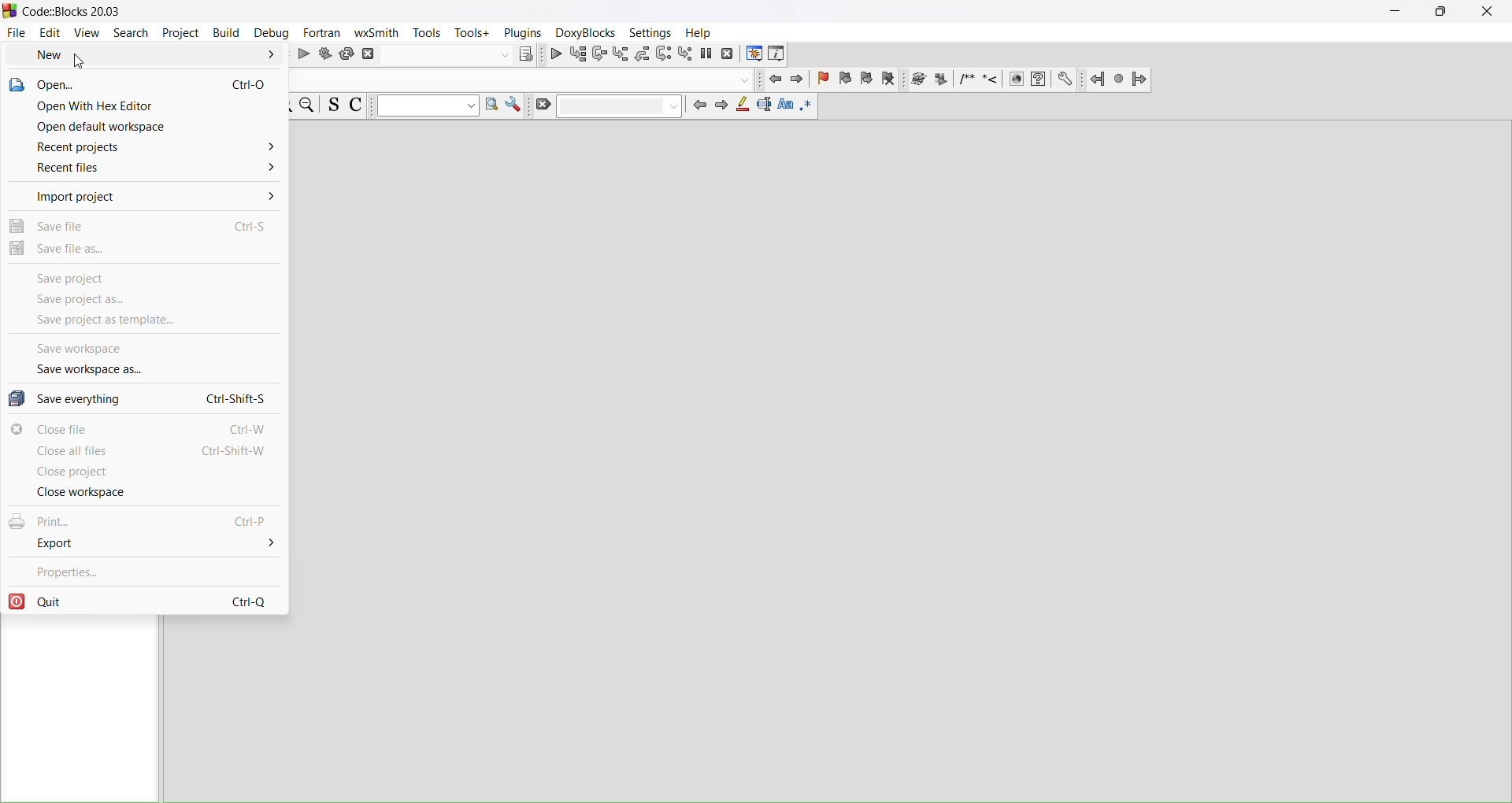 The width and height of the screenshot is (1512, 803). What do you see at coordinates (145, 56) in the screenshot?
I see `new` at bounding box center [145, 56].